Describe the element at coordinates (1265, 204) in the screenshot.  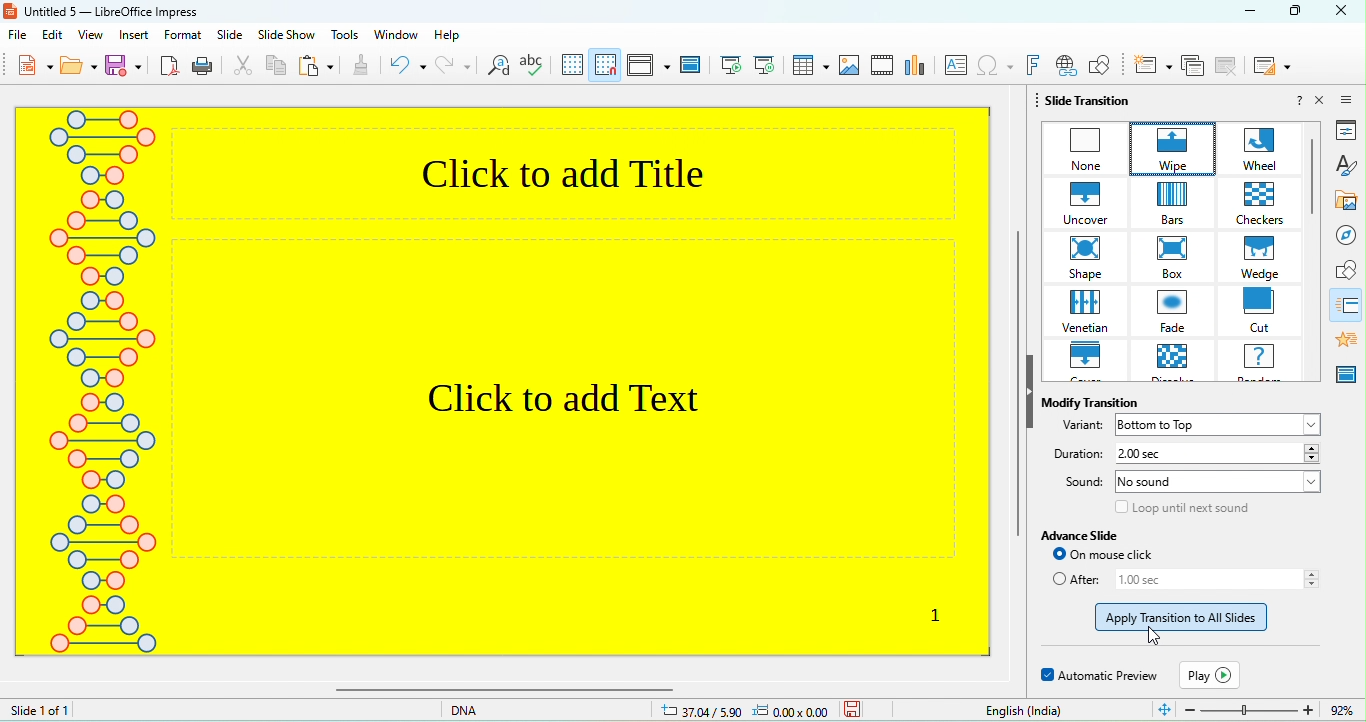
I see `checkers` at that location.